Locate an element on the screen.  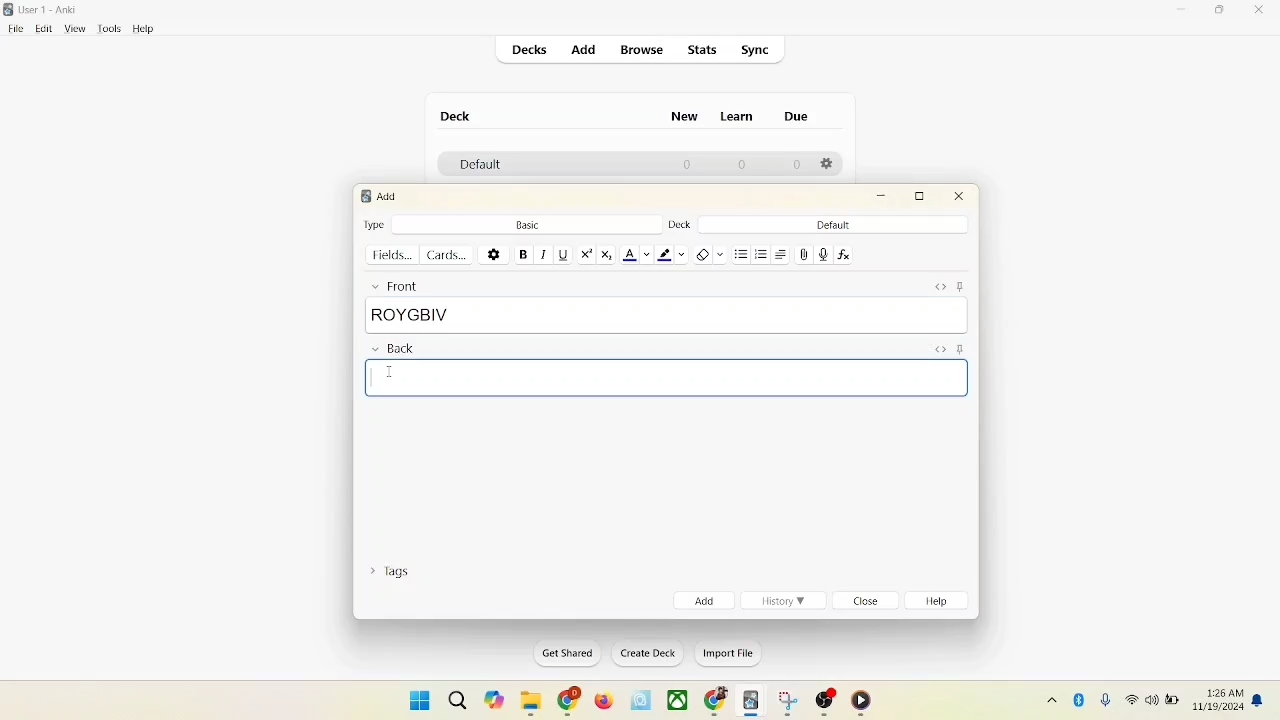
logo is located at coordinates (10, 9).